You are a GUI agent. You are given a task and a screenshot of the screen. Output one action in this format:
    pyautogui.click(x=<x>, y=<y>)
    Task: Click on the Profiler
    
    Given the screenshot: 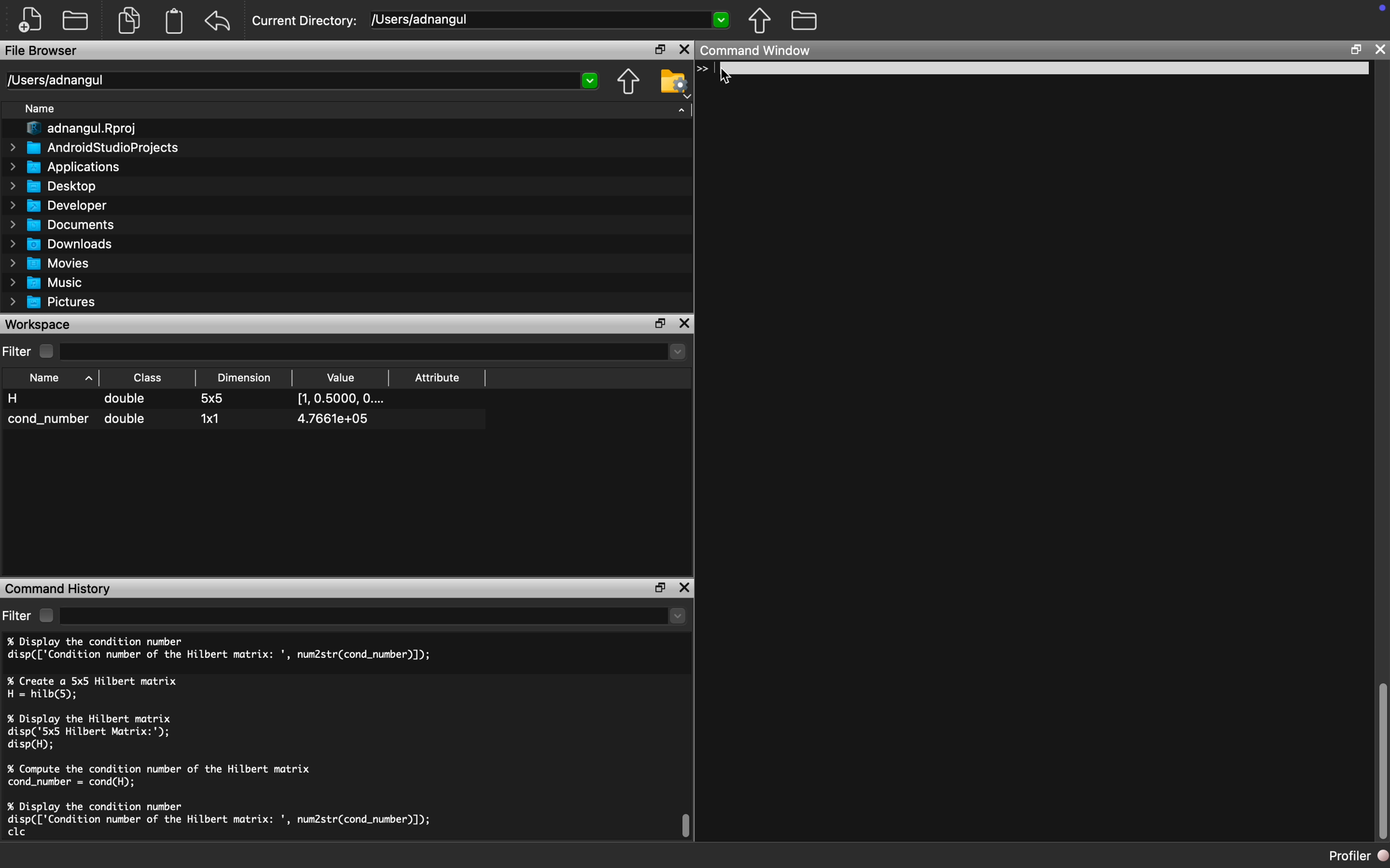 What is the action you would take?
    pyautogui.click(x=1360, y=856)
    